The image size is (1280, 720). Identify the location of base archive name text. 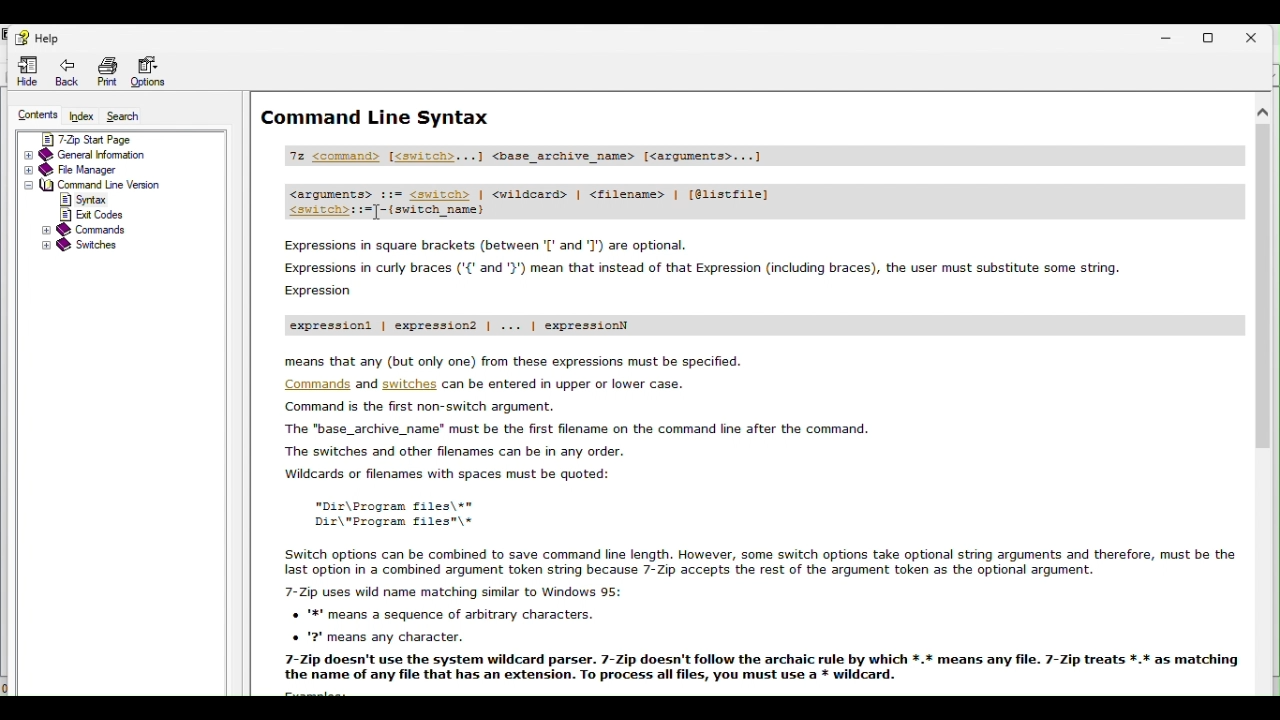
(635, 155).